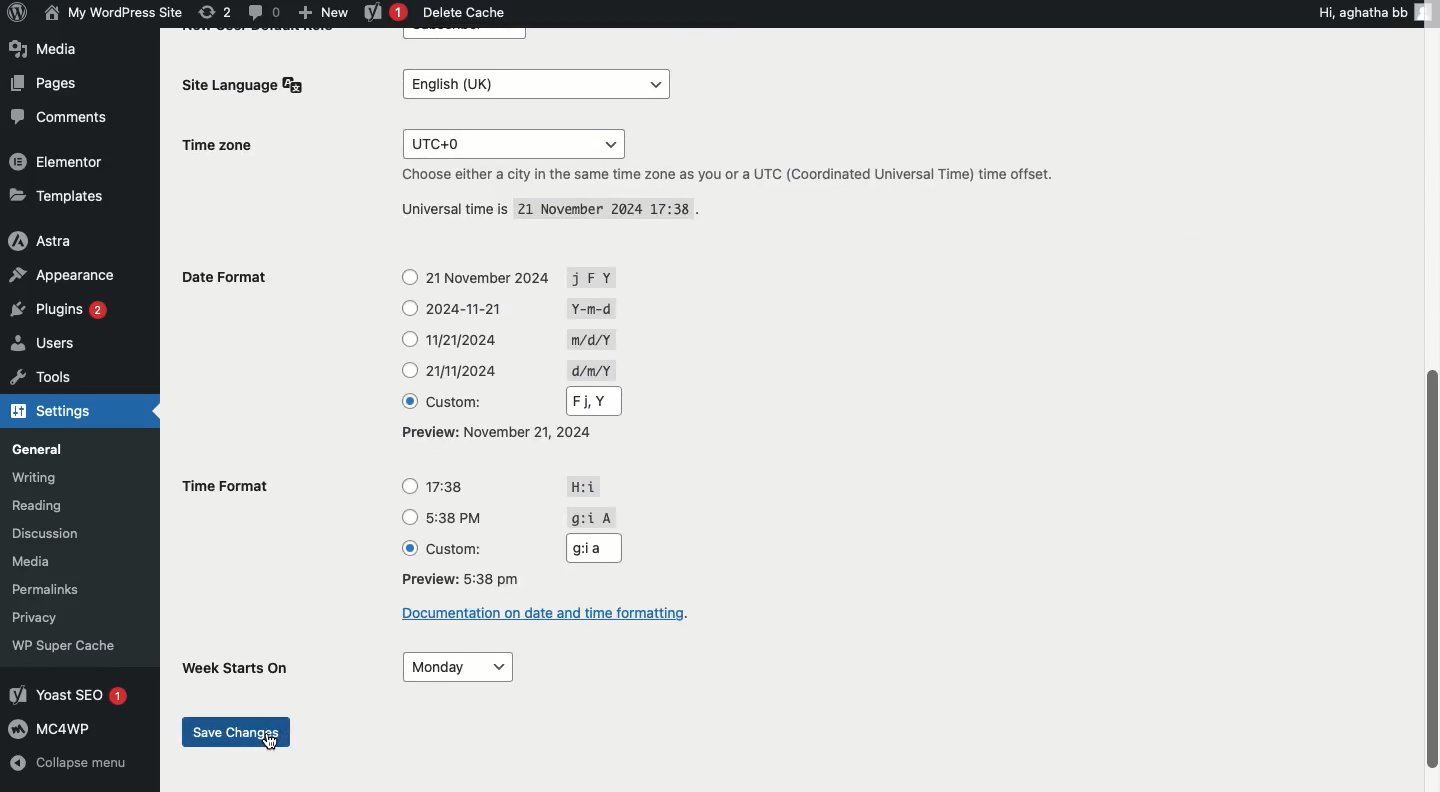  I want to click on Privacy, so click(55, 618).